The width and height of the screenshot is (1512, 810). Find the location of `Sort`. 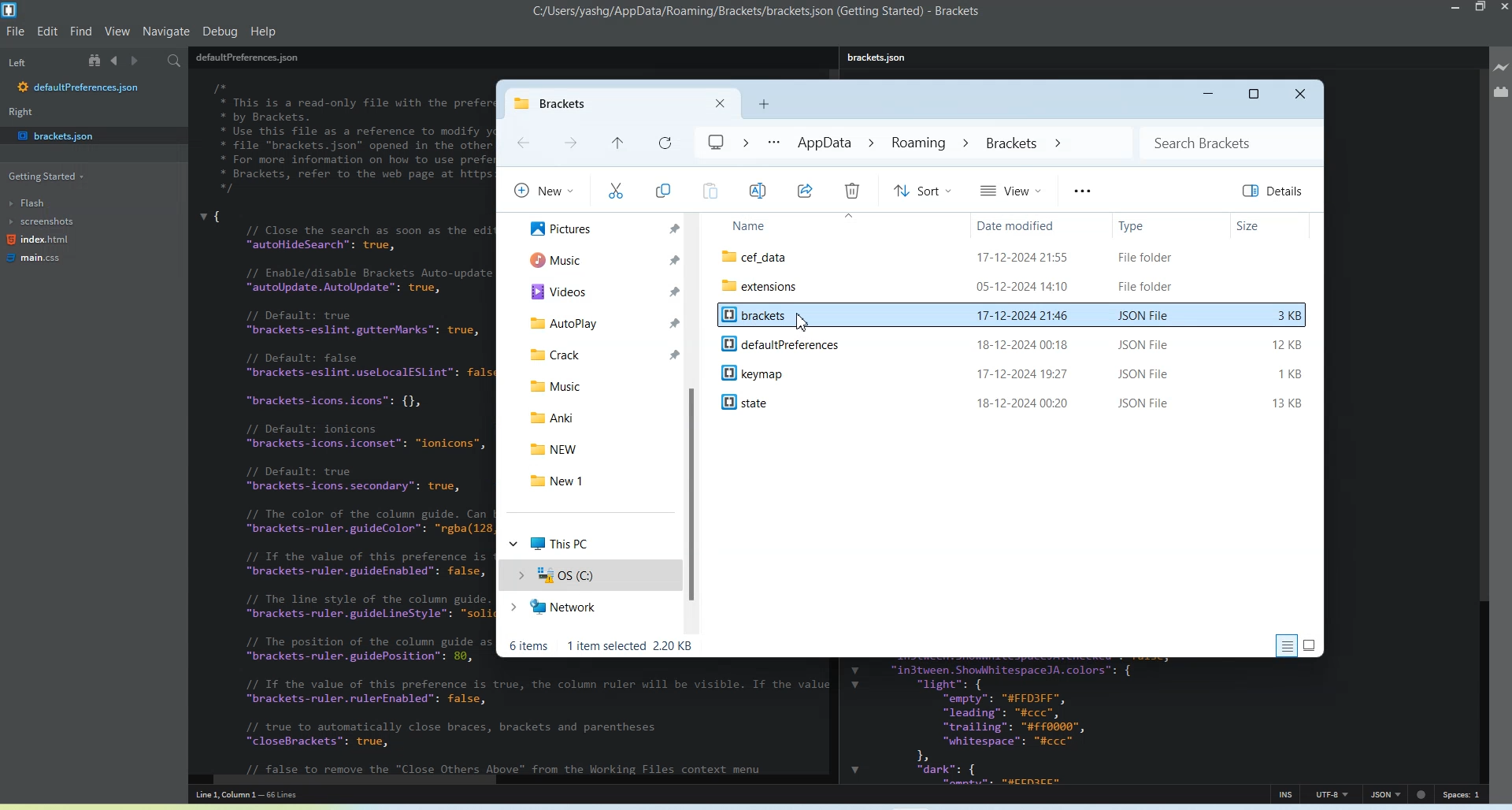

Sort is located at coordinates (921, 190).